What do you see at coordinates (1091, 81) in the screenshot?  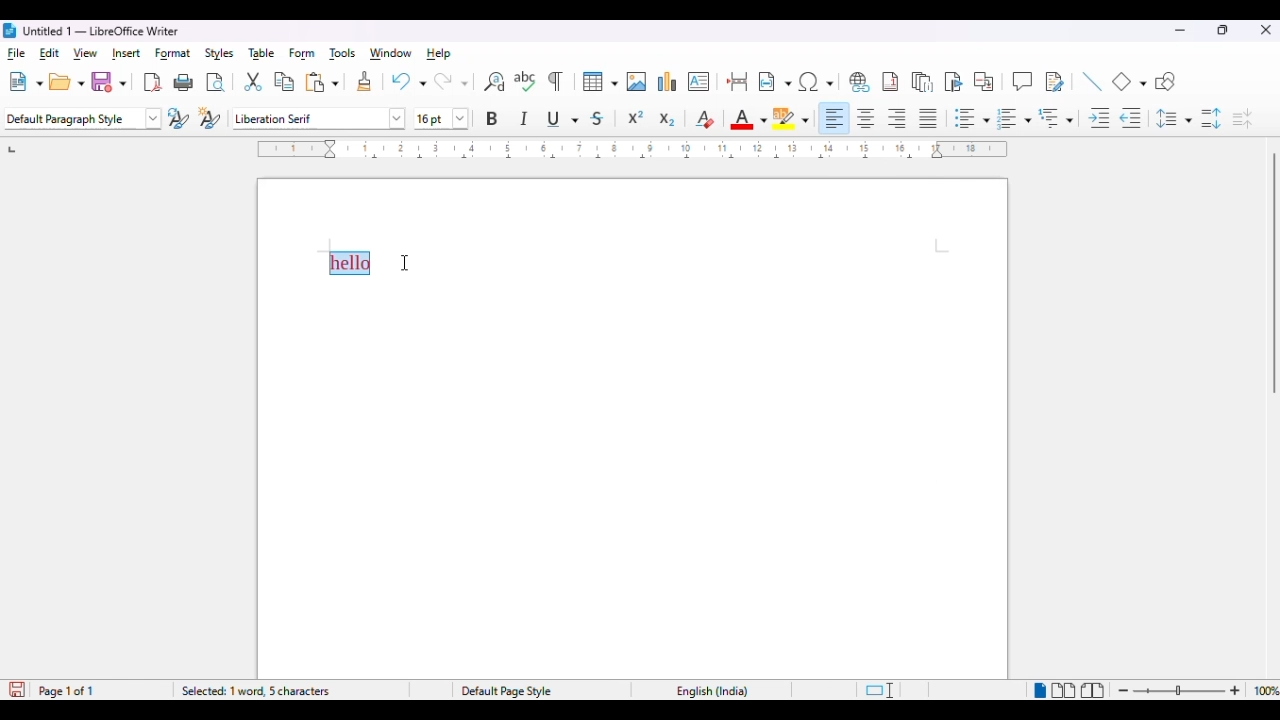 I see `insert line` at bounding box center [1091, 81].